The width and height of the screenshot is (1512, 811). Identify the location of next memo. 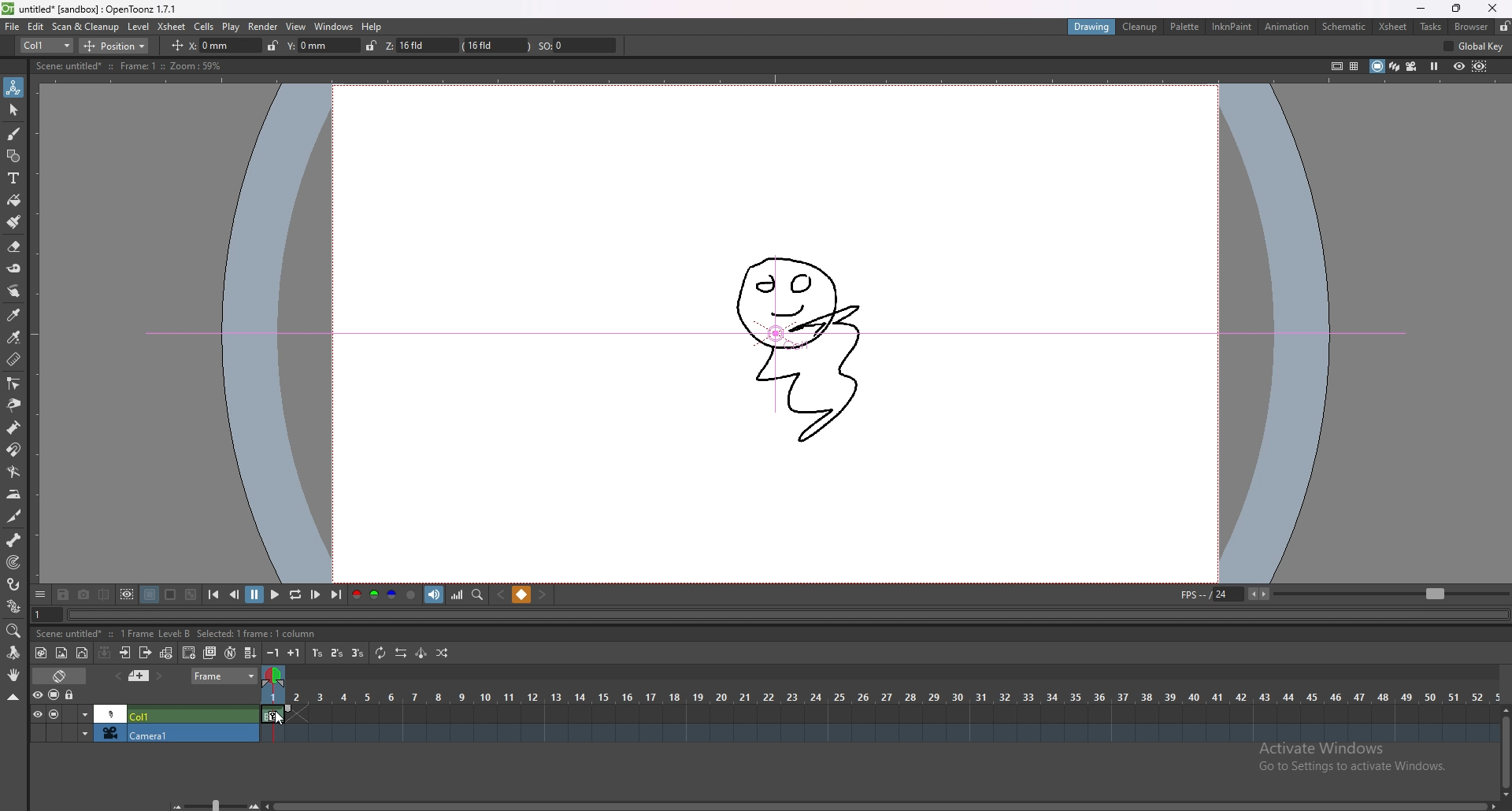
(159, 676).